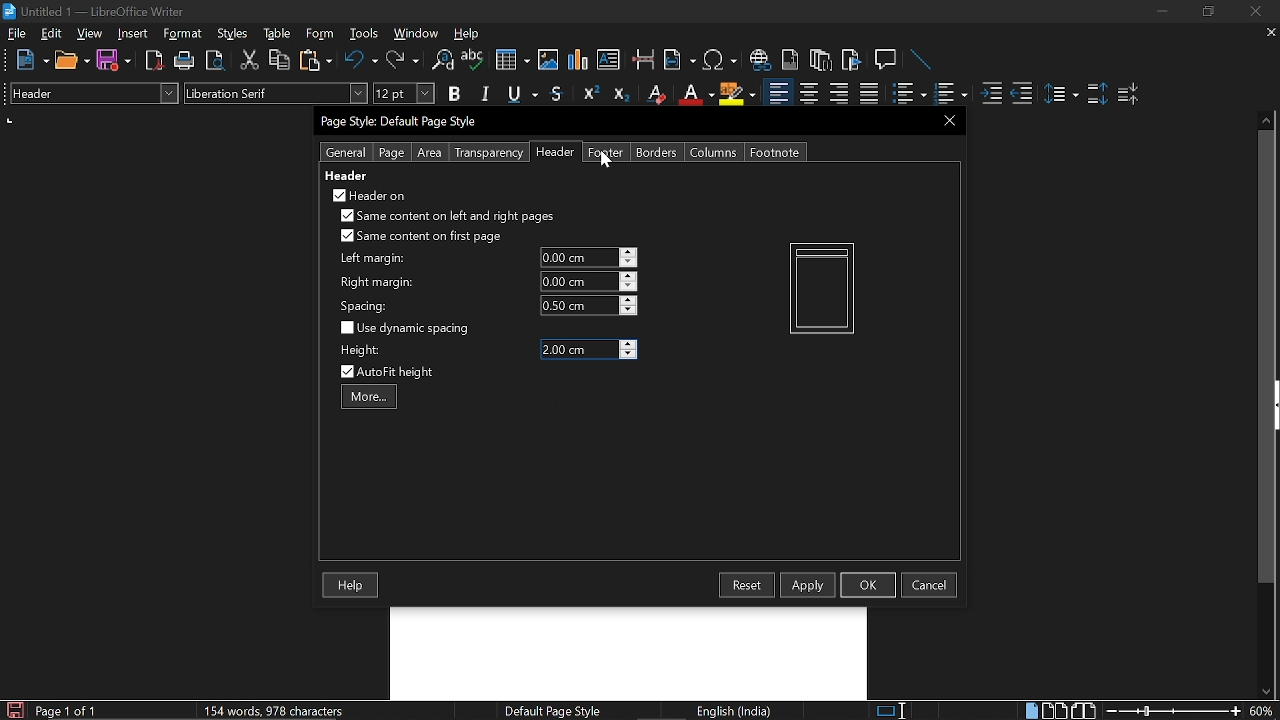 The height and width of the screenshot is (720, 1280). What do you see at coordinates (114, 61) in the screenshot?
I see `Save` at bounding box center [114, 61].